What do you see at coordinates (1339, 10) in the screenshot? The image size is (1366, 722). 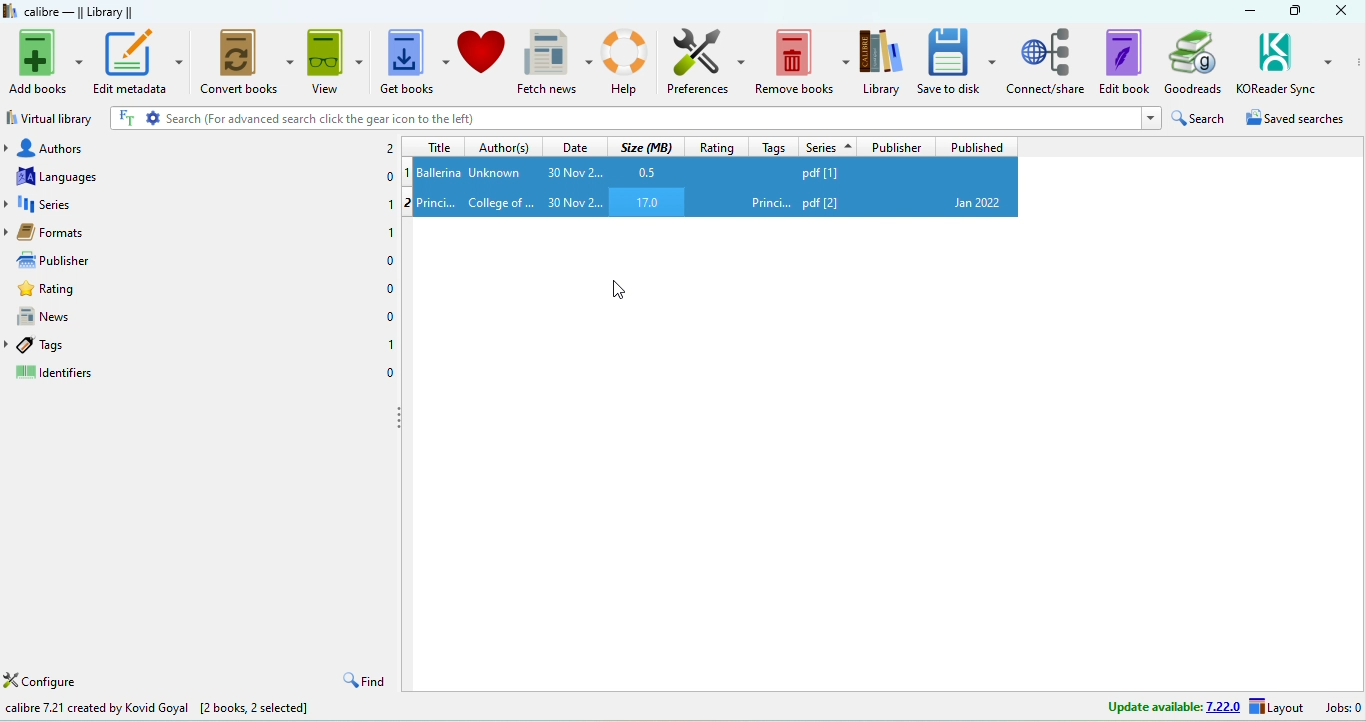 I see `close` at bounding box center [1339, 10].